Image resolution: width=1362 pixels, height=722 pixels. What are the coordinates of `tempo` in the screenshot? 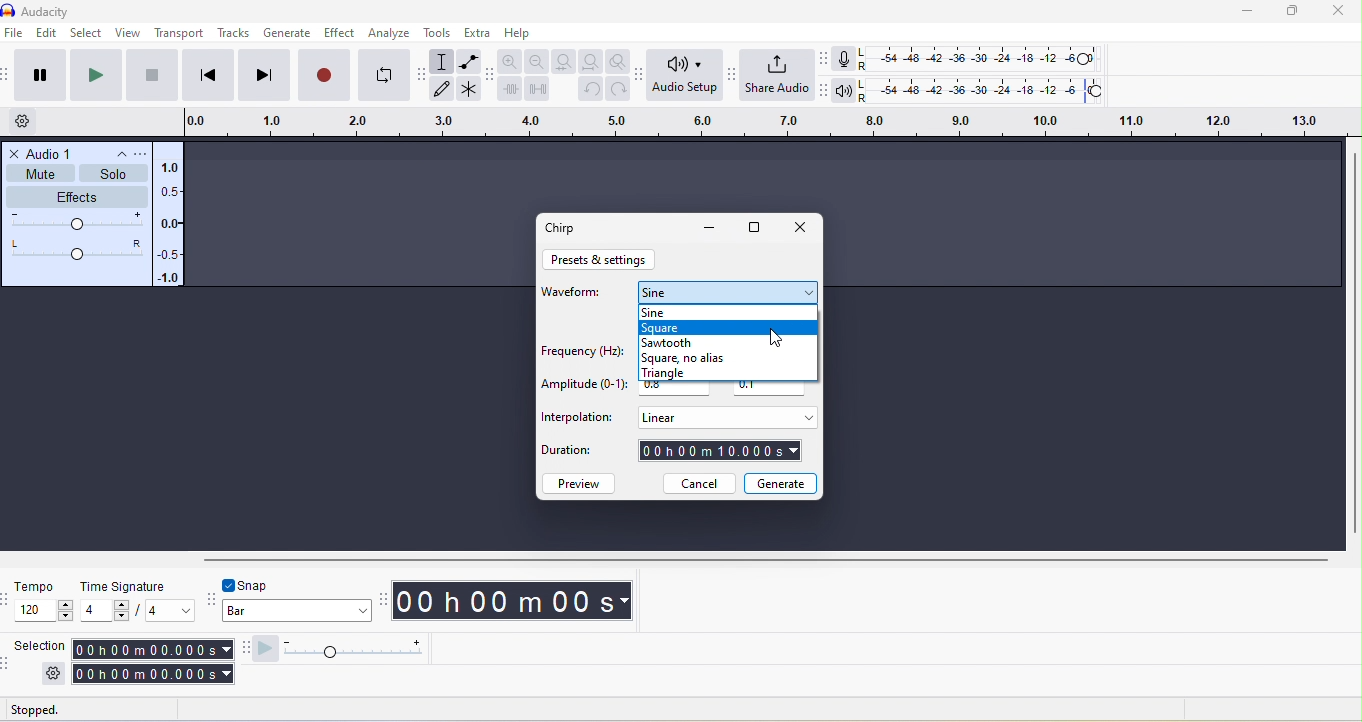 It's located at (35, 586).